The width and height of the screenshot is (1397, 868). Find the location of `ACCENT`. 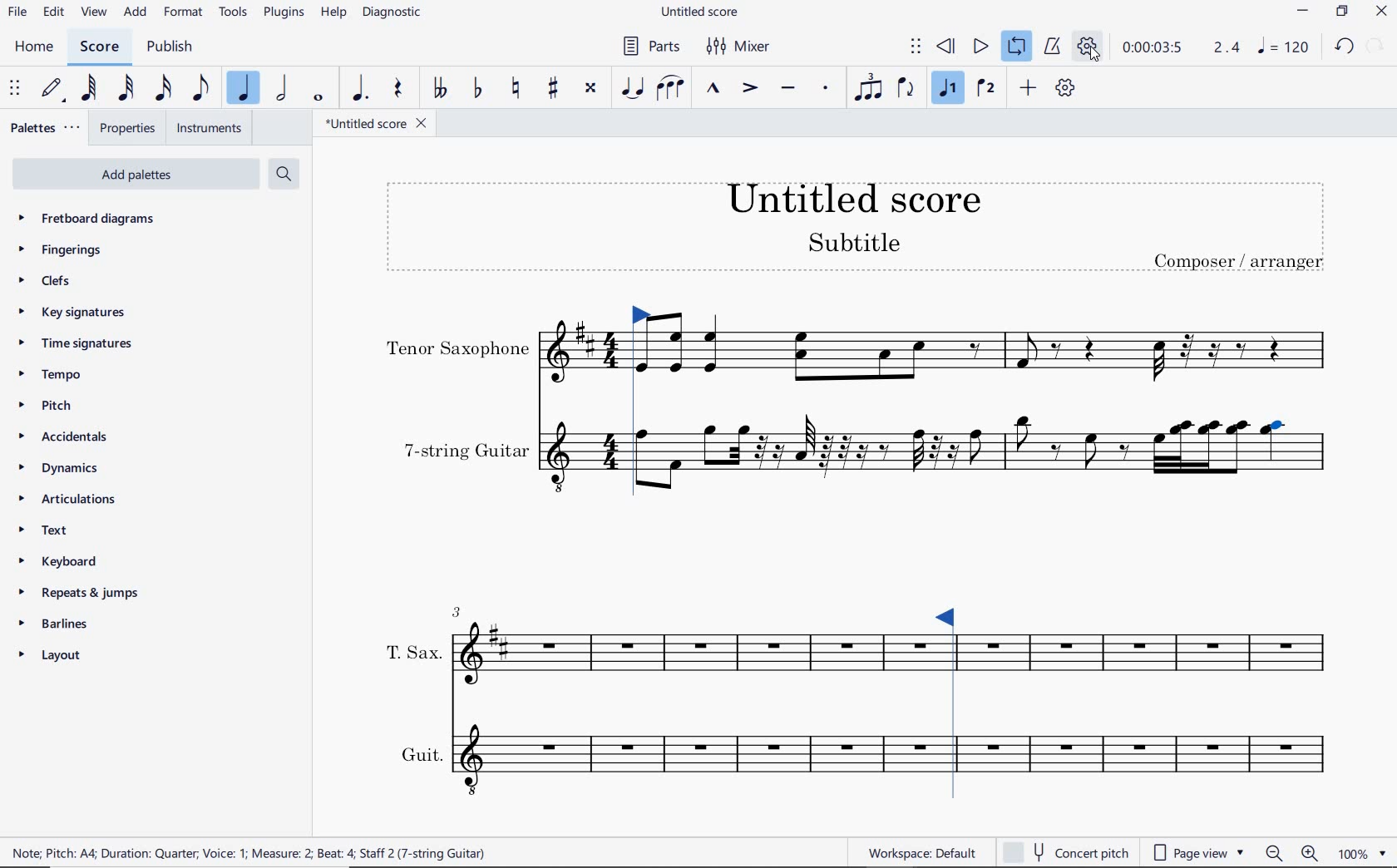

ACCENT is located at coordinates (748, 90).